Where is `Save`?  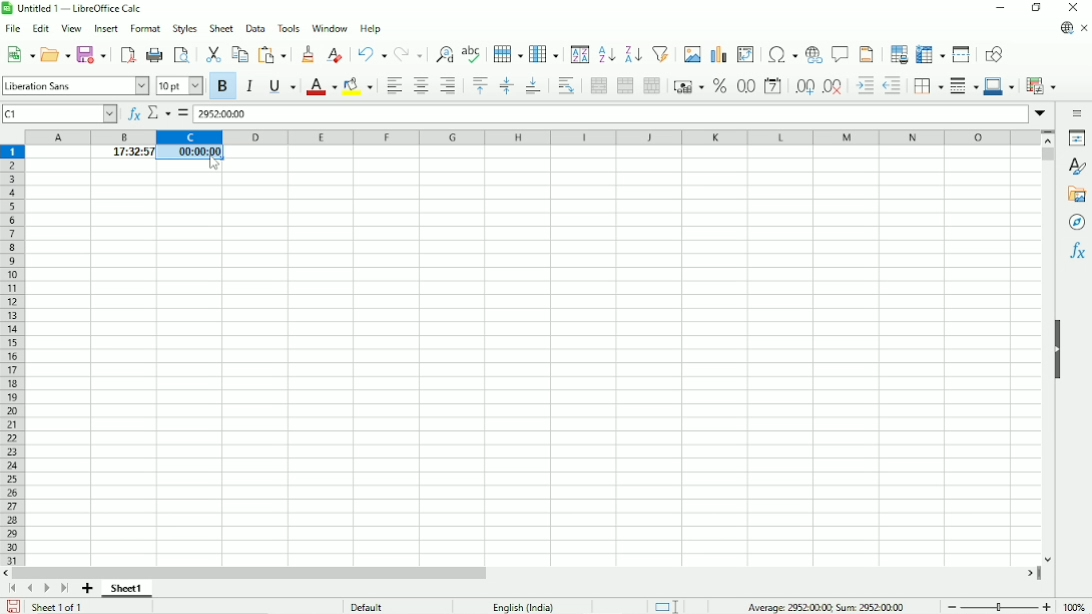 Save is located at coordinates (13, 606).